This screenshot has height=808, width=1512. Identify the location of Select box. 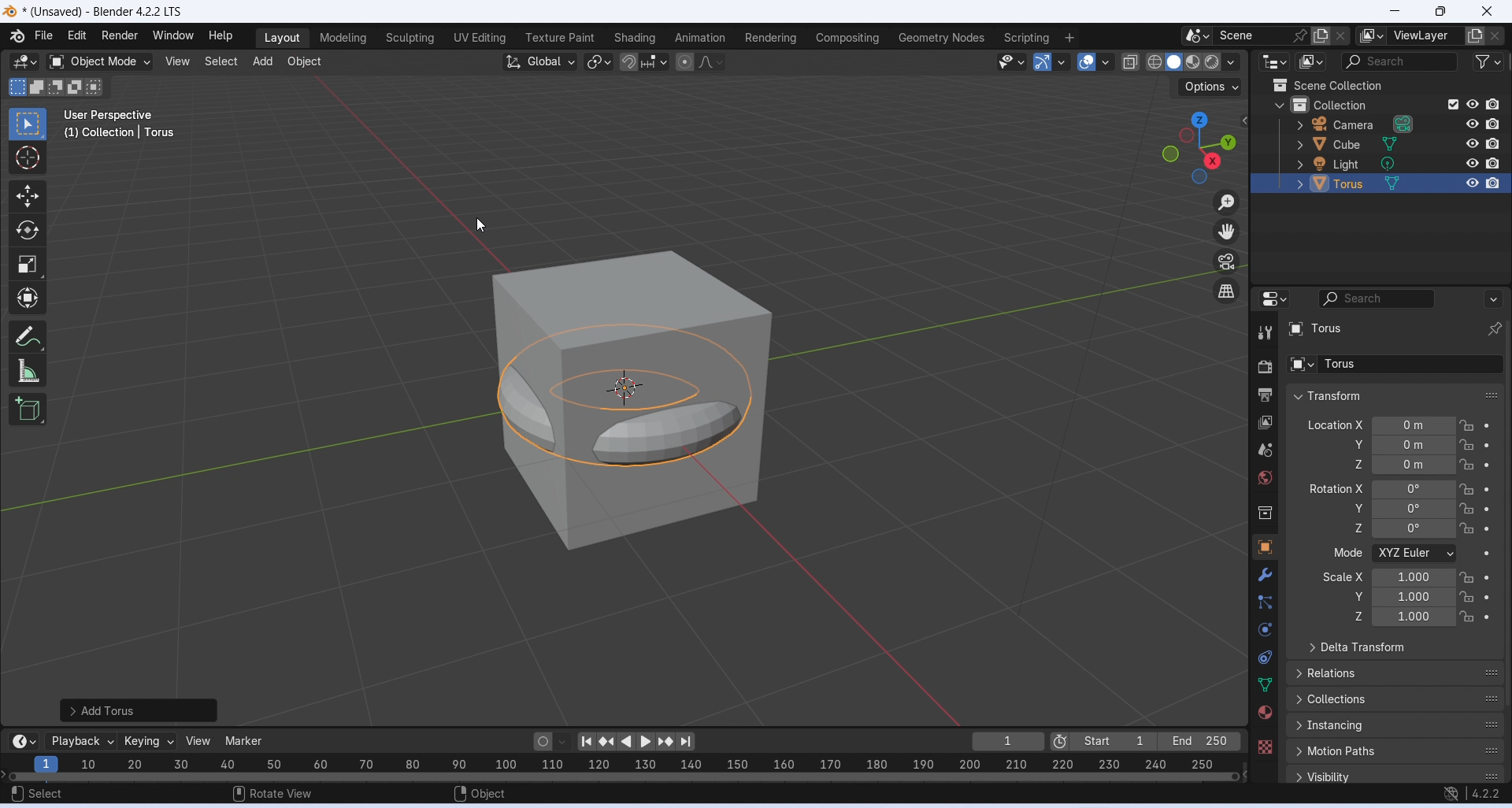
(28, 124).